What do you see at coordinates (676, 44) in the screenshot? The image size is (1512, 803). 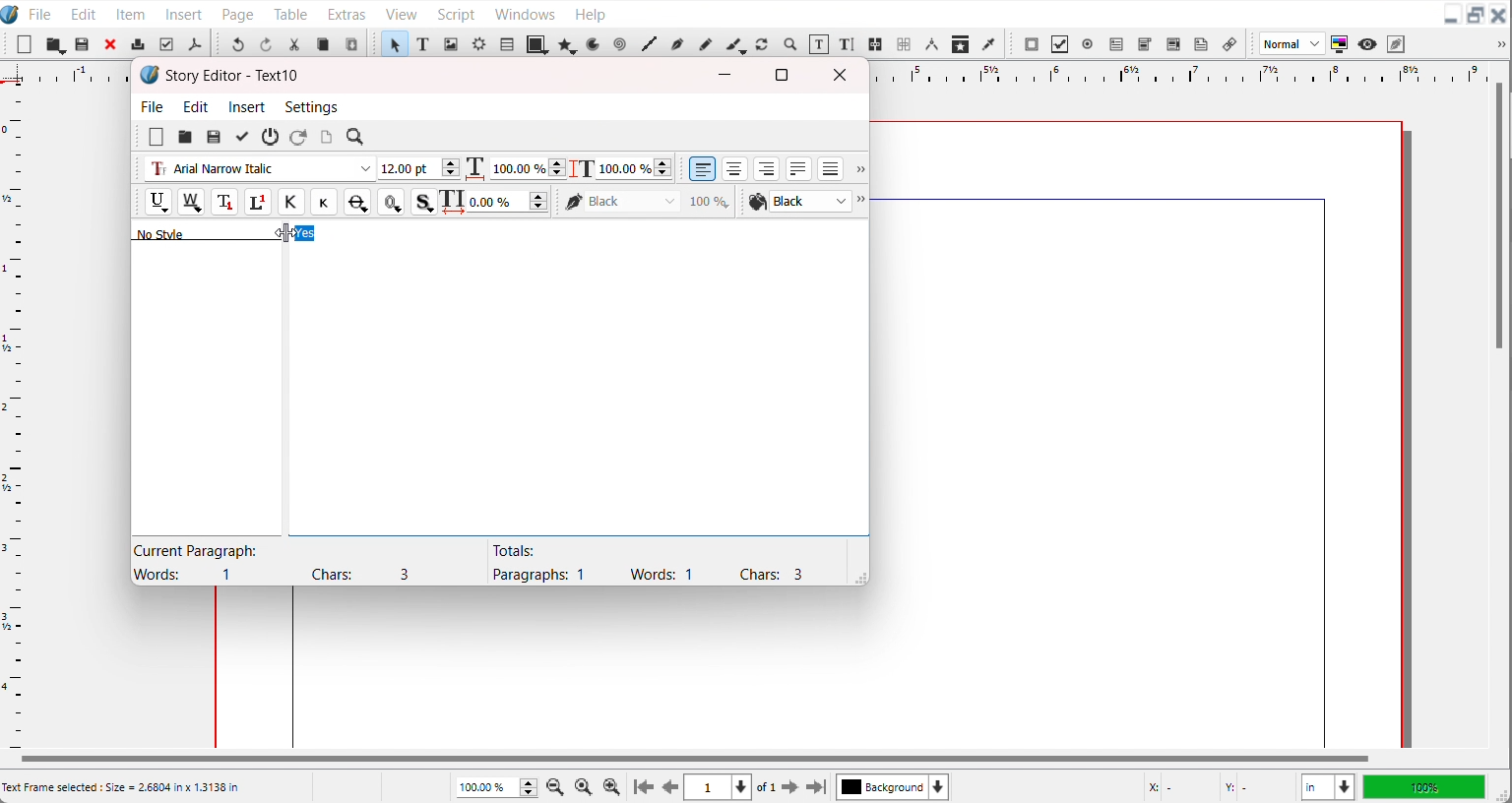 I see `Bezier curve` at bounding box center [676, 44].